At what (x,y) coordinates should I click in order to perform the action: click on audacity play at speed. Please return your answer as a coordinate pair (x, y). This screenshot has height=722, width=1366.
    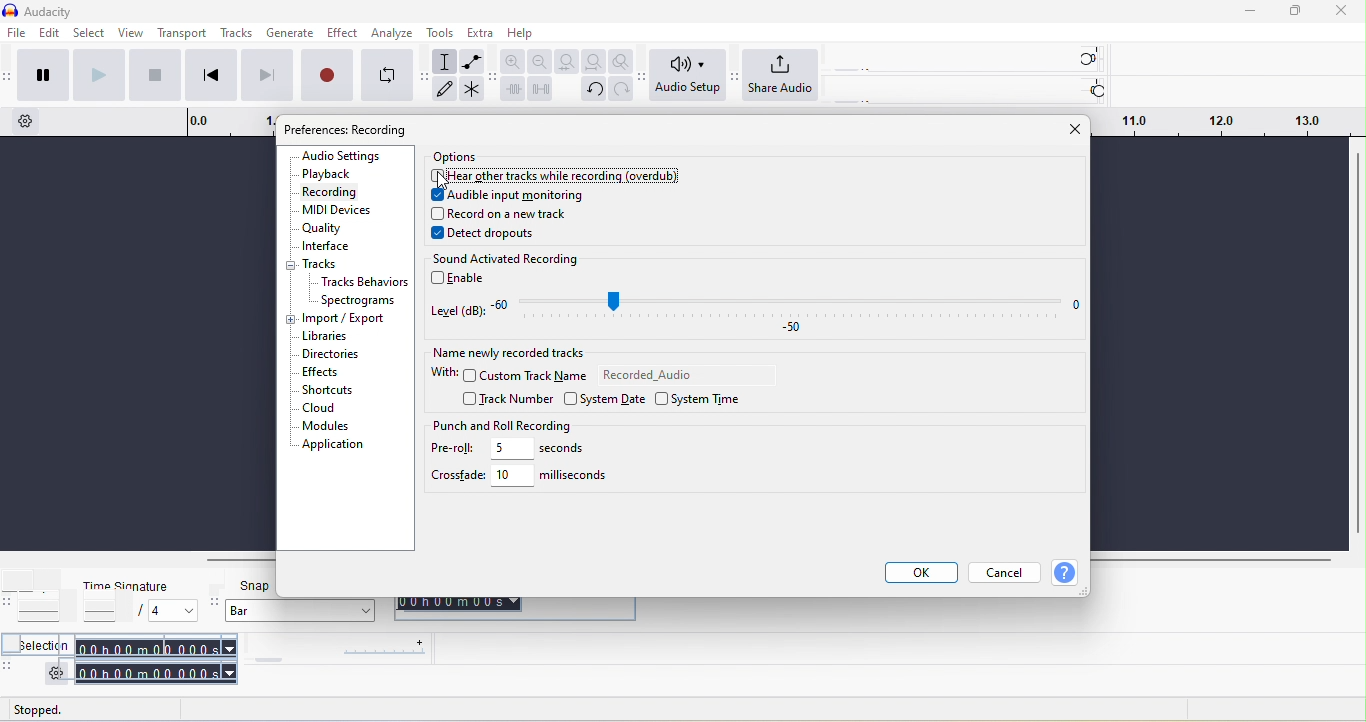
    Looking at the image, I should click on (250, 647).